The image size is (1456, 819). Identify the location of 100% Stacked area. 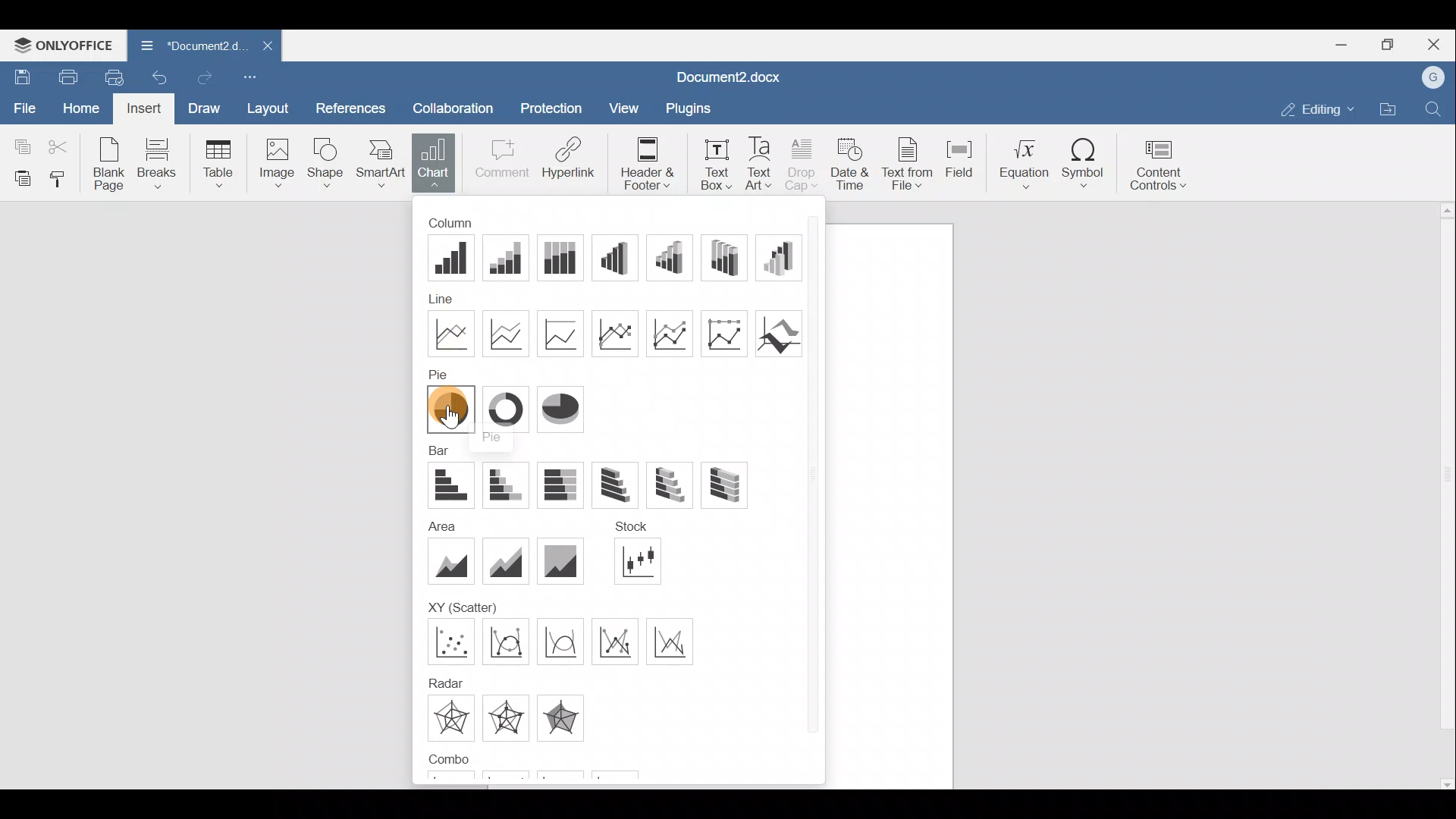
(558, 560).